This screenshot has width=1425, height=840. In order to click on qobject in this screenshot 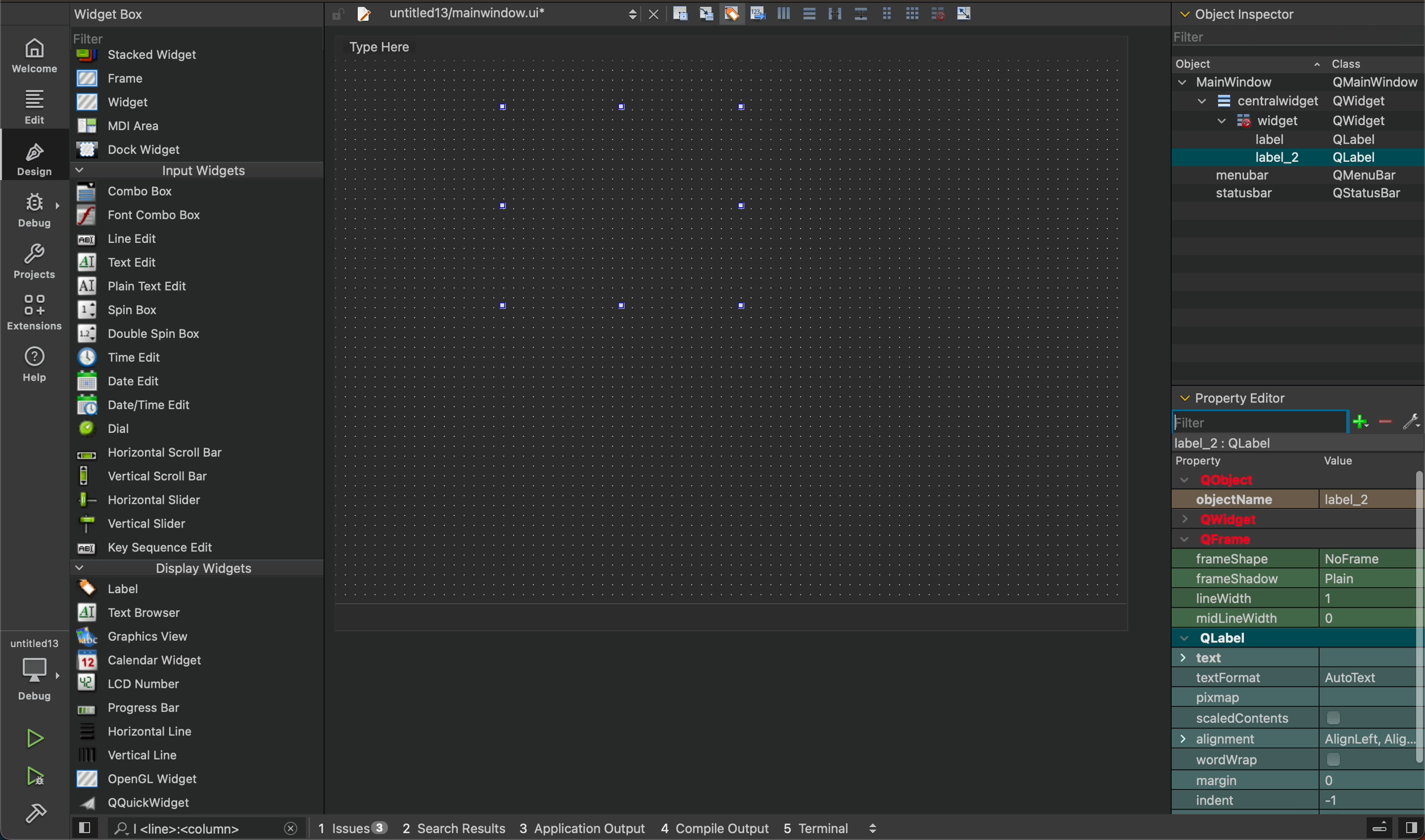, I will do `click(1284, 480)`.